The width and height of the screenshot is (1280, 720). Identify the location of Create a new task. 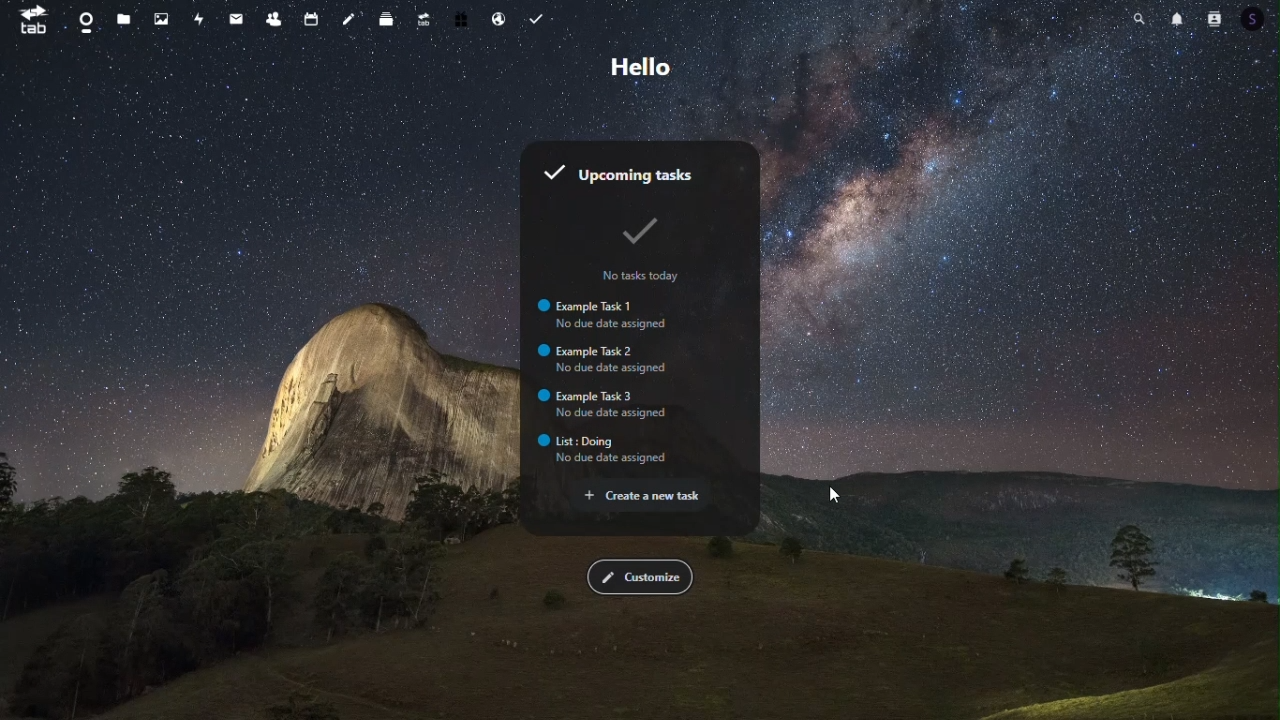
(665, 494).